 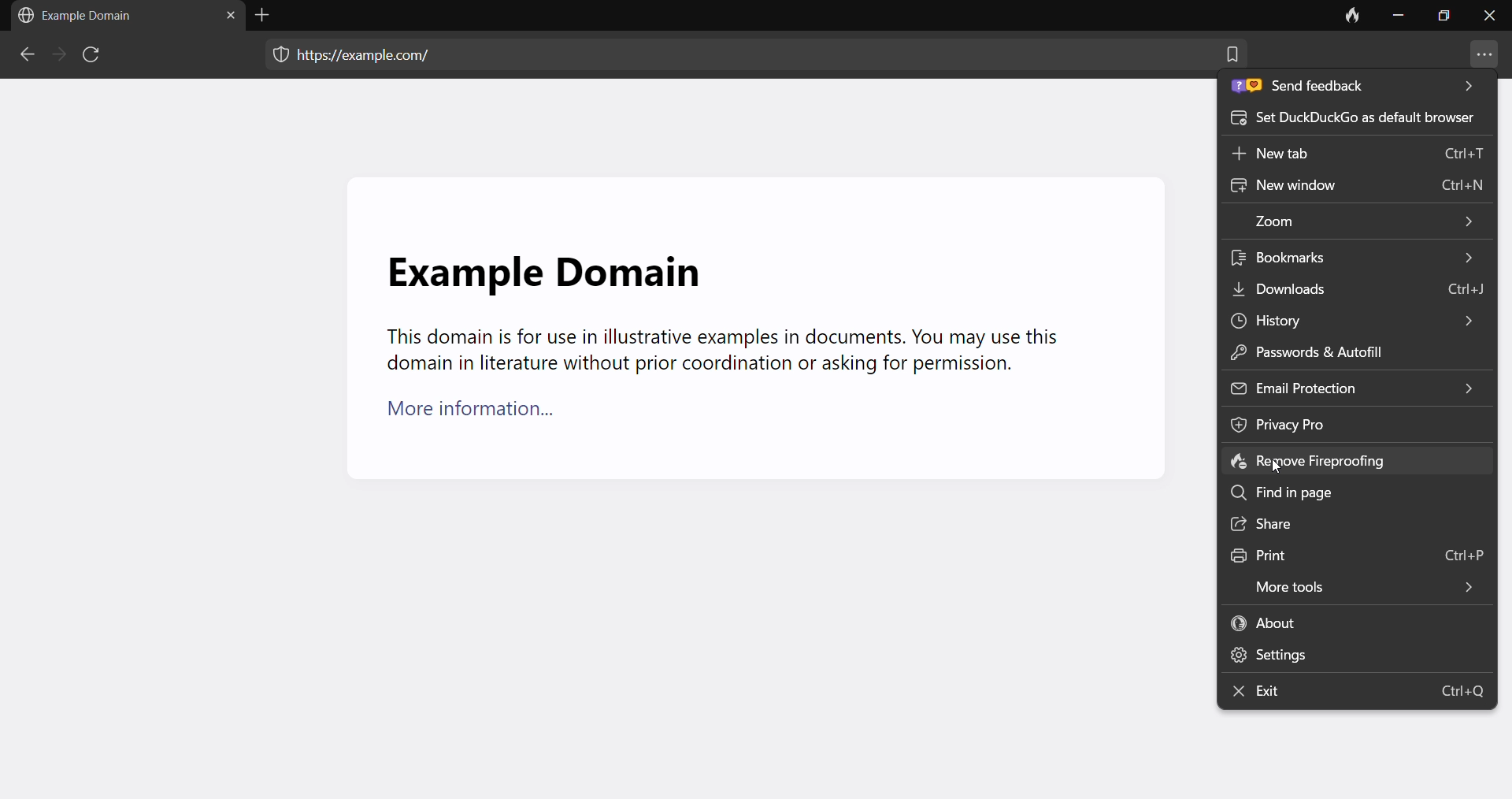 I want to click on Example domain, so click(x=81, y=16).